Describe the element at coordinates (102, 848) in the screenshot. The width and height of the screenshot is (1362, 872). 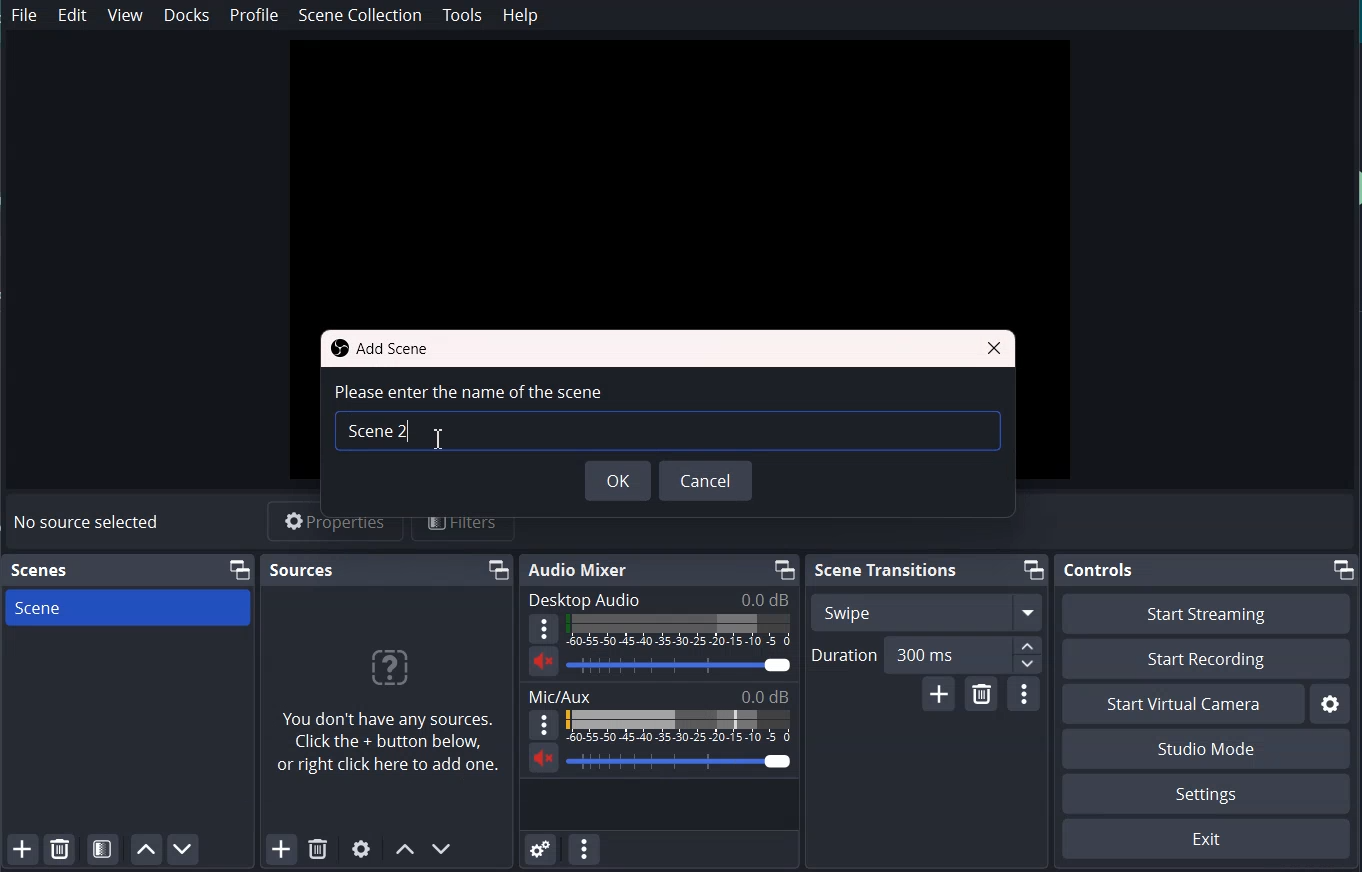
I see `Open scene filter` at that location.